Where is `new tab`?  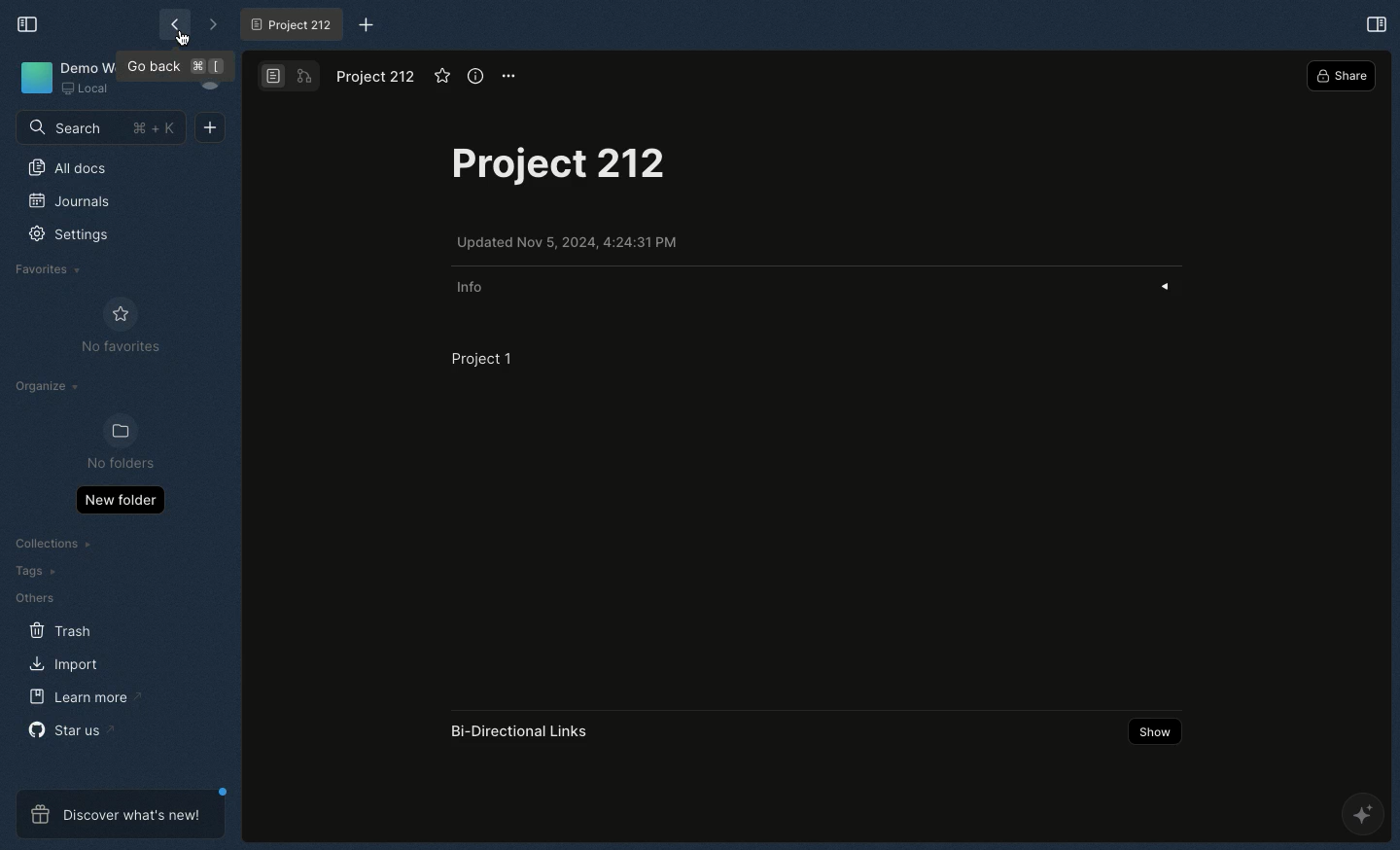 new tab is located at coordinates (359, 23).